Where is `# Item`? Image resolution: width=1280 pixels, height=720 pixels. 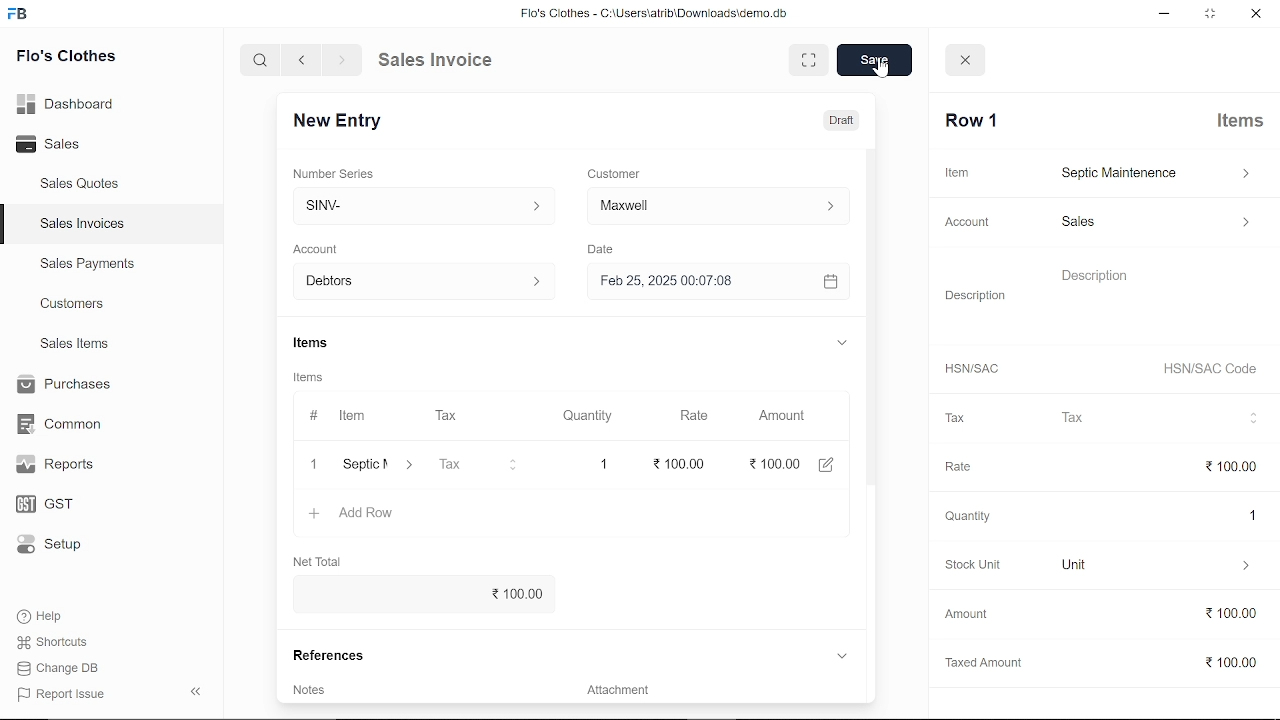
# Item is located at coordinates (337, 417).